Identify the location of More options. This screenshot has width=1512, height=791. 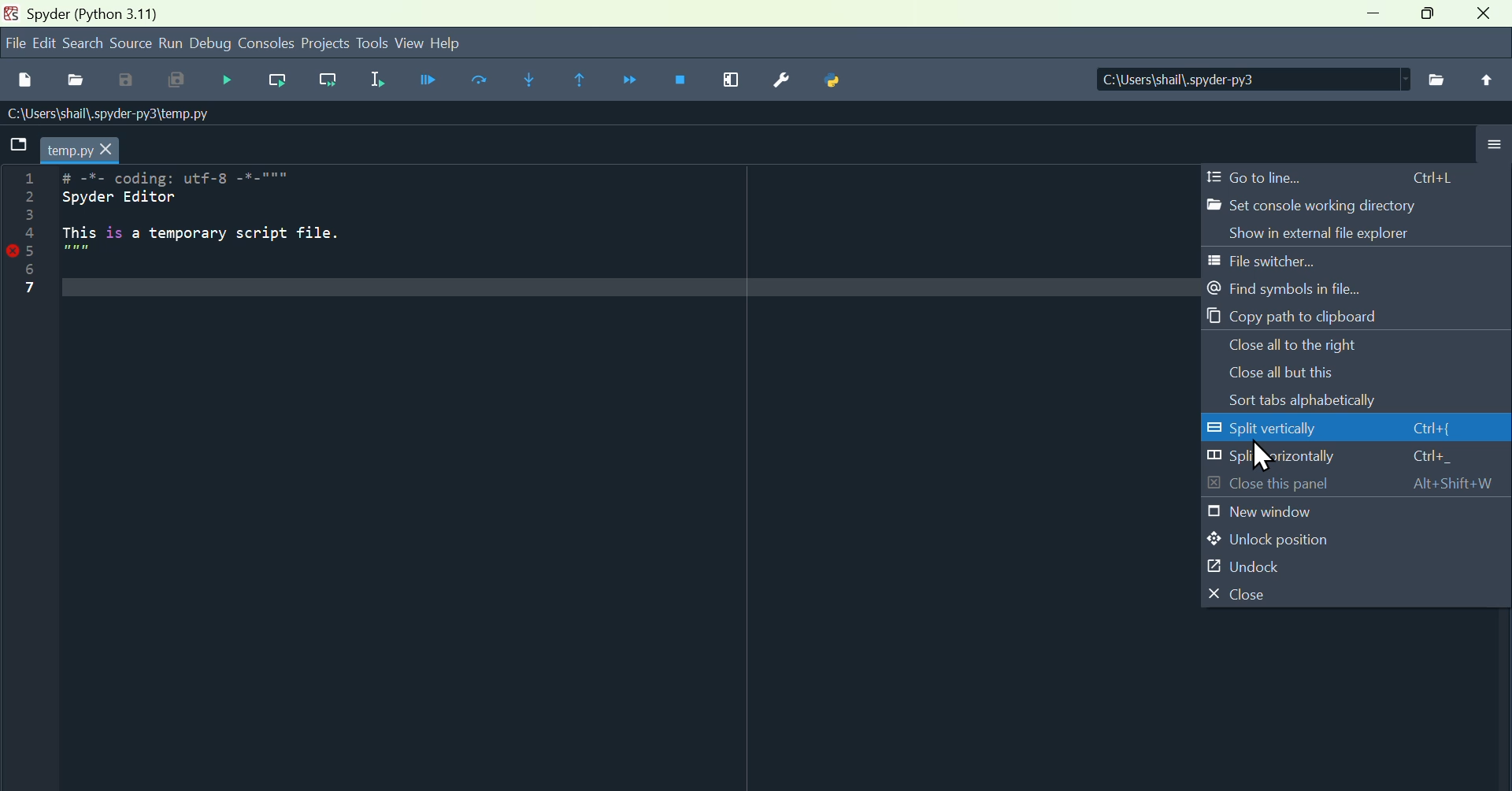
(1490, 144).